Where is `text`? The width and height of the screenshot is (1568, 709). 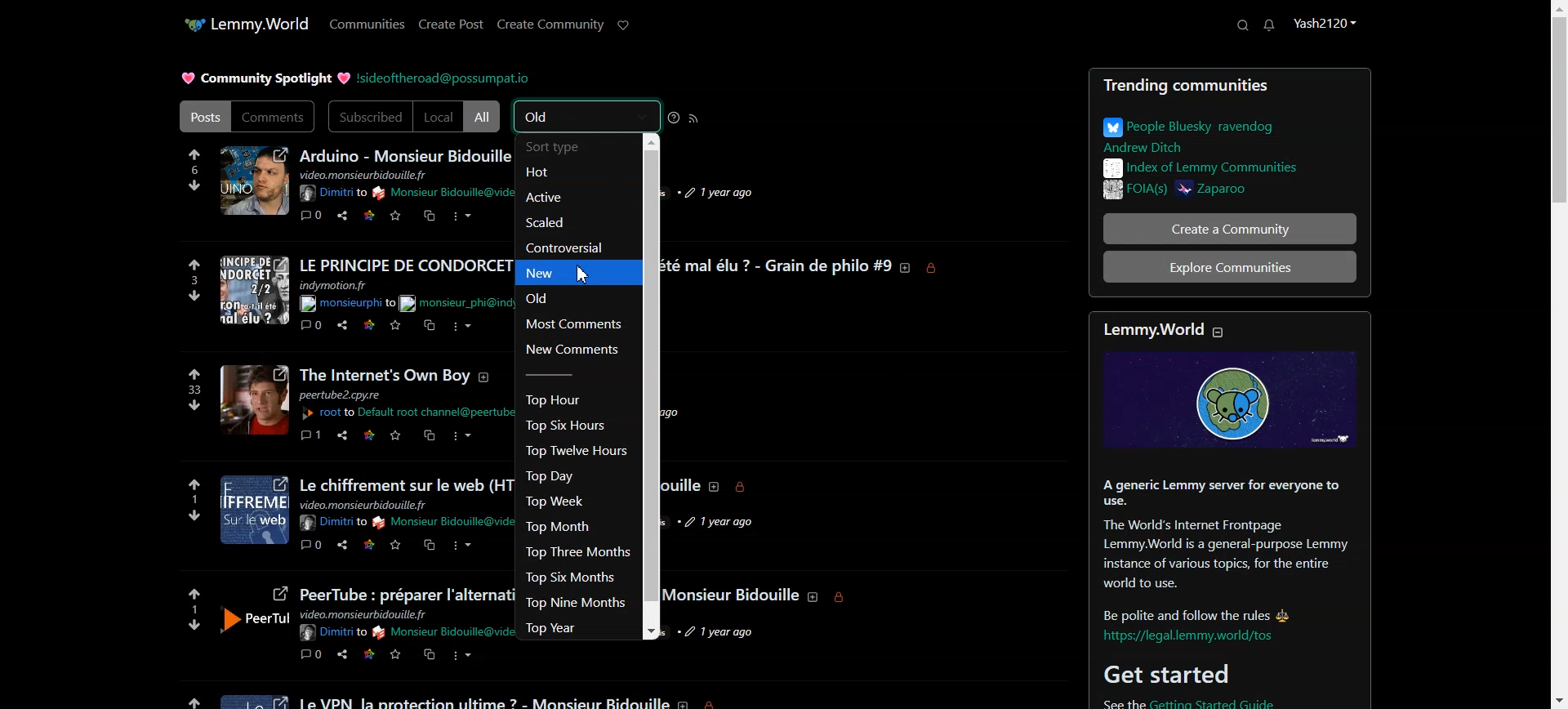 text is located at coordinates (781, 267).